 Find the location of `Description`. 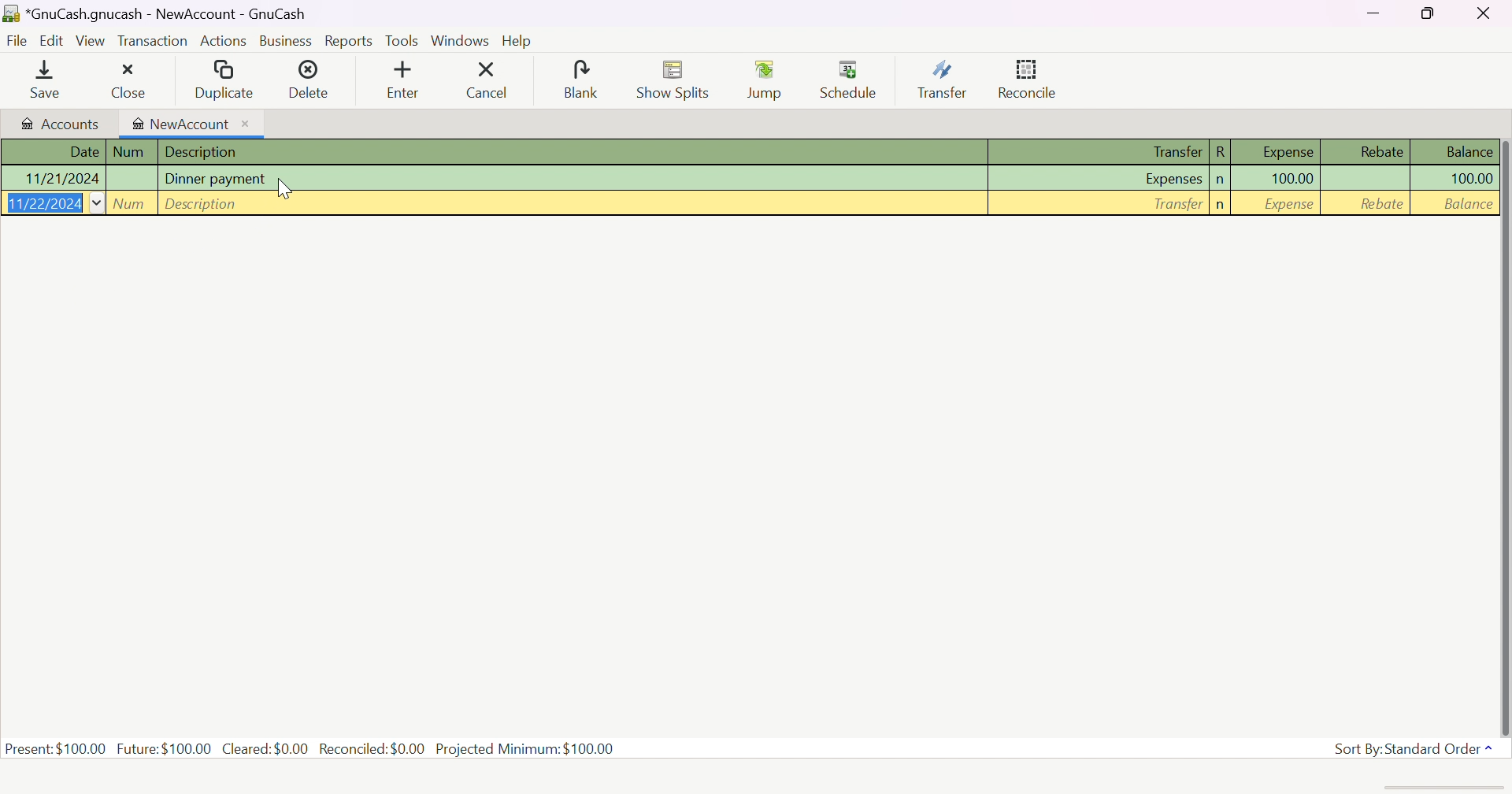

Description is located at coordinates (202, 202).